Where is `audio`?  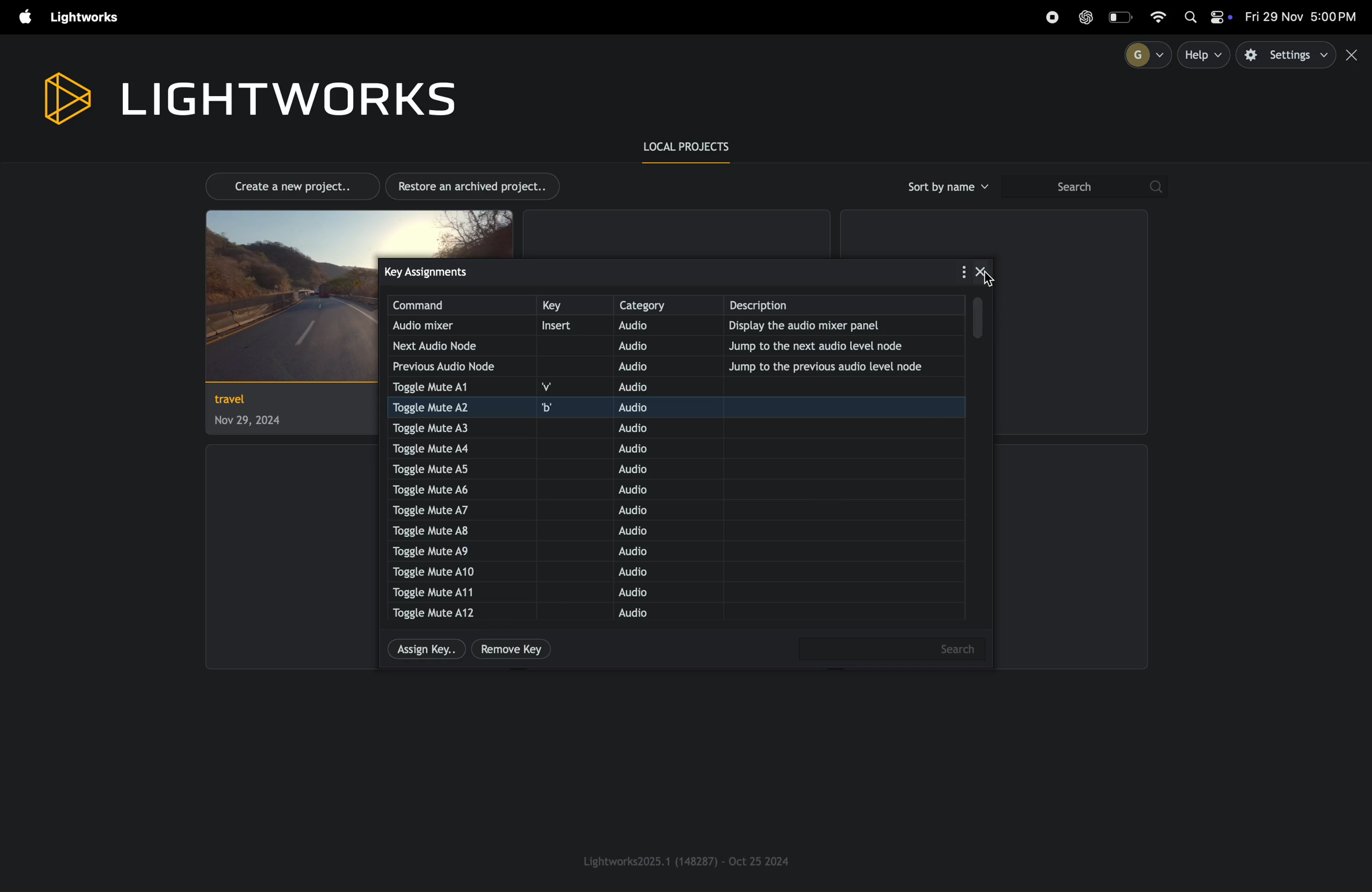 audio is located at coordinates (652, 365).